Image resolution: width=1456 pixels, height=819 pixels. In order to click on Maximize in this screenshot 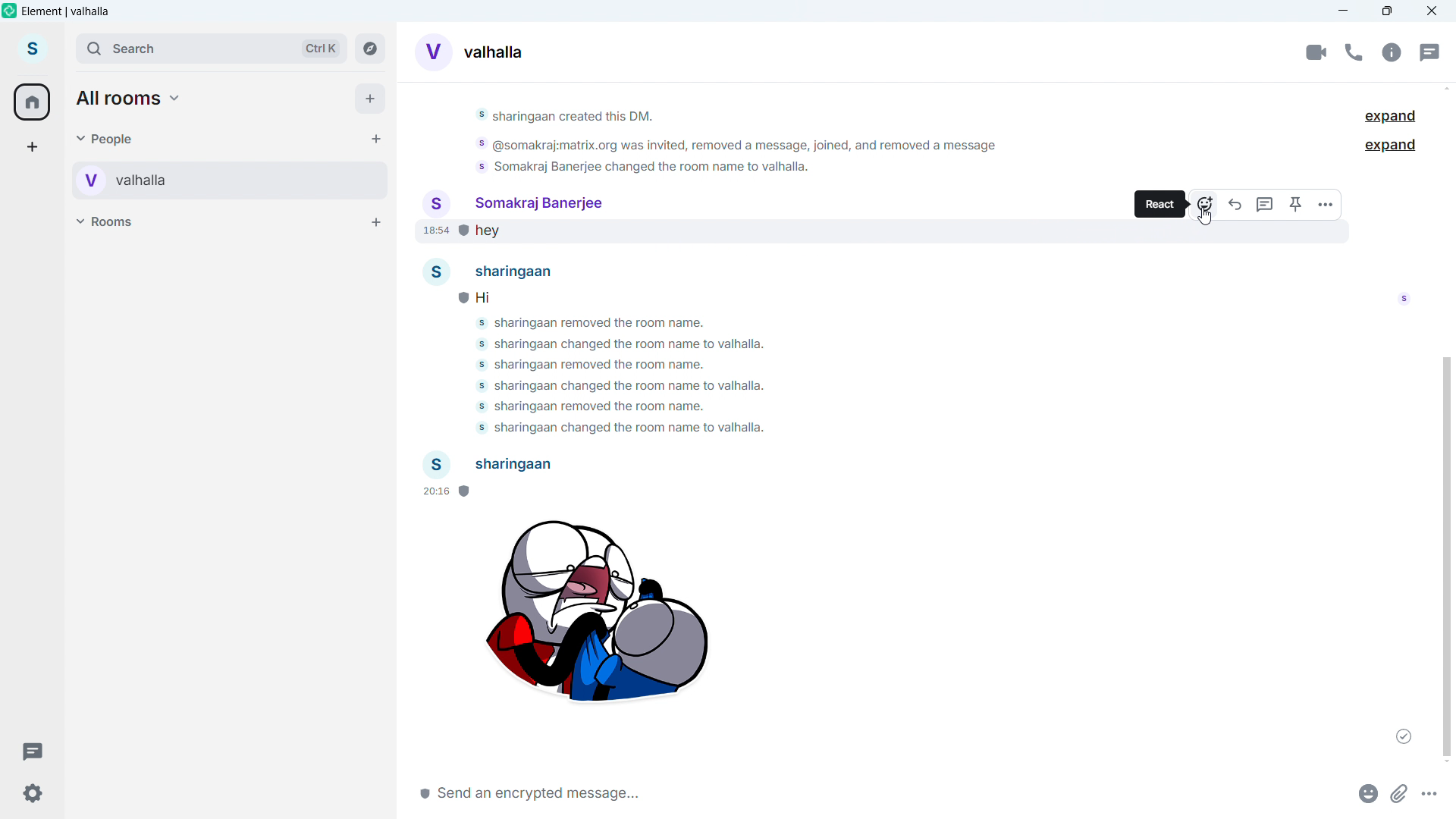, I will do `click(1388, 11)`.